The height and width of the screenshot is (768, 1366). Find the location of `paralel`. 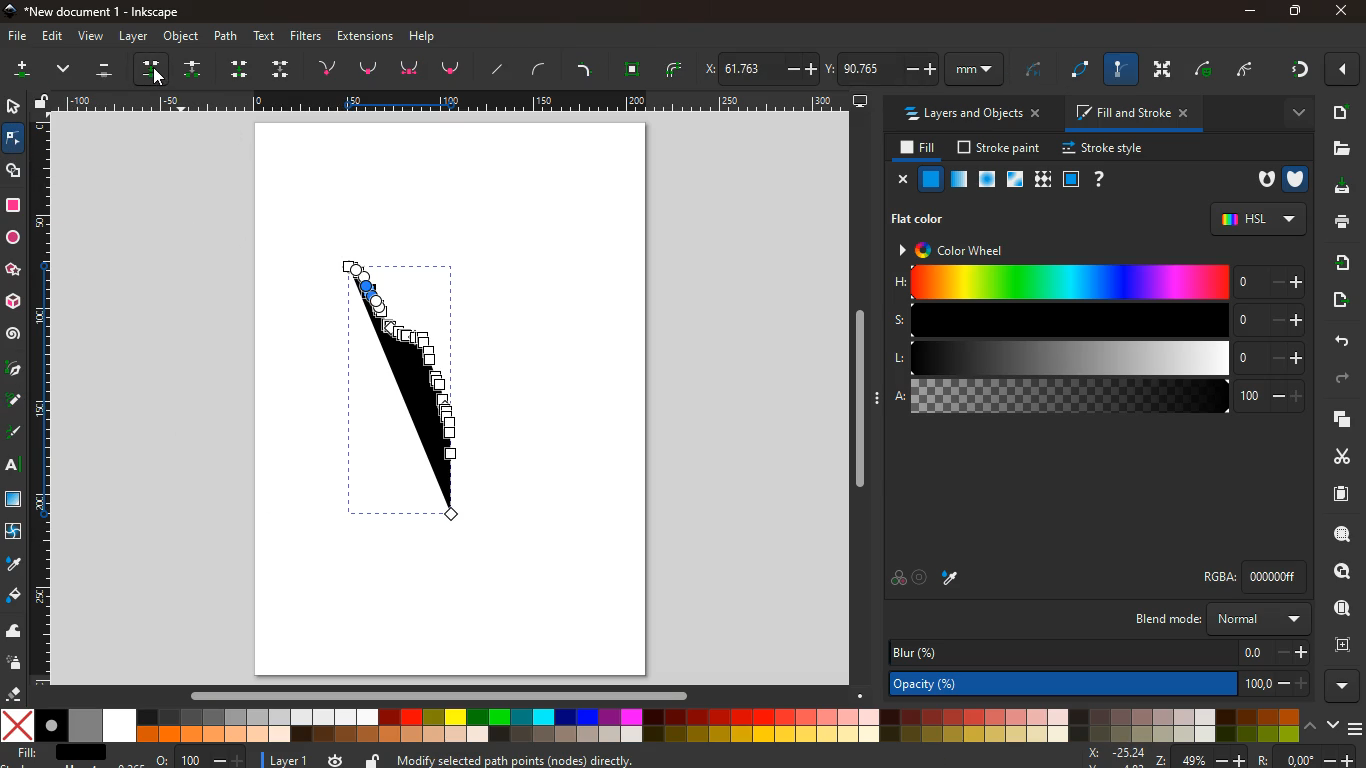

paralel is located at coordinates (108, 72).